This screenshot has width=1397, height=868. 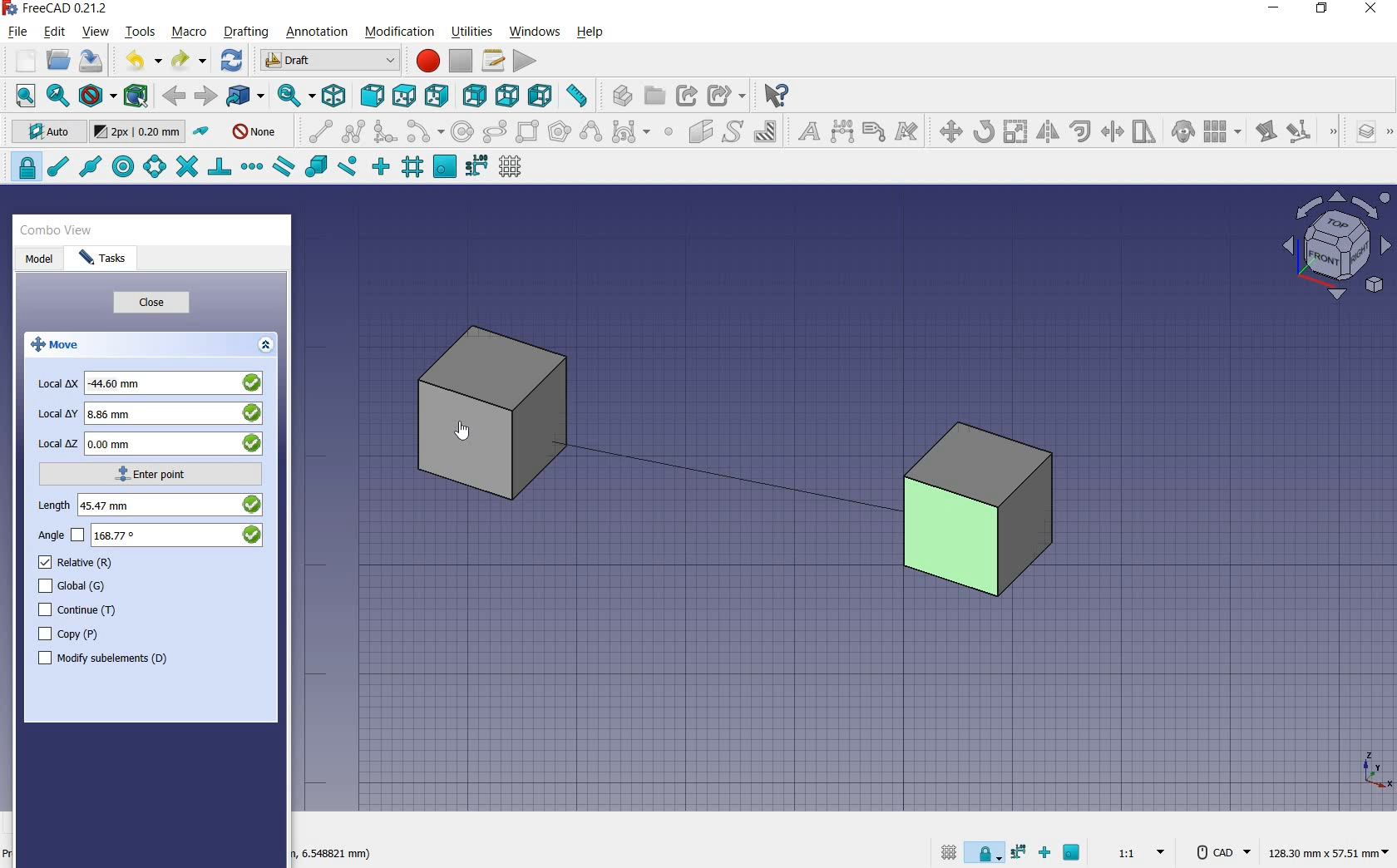 I want to click on edit, so click(x=55, y=32).